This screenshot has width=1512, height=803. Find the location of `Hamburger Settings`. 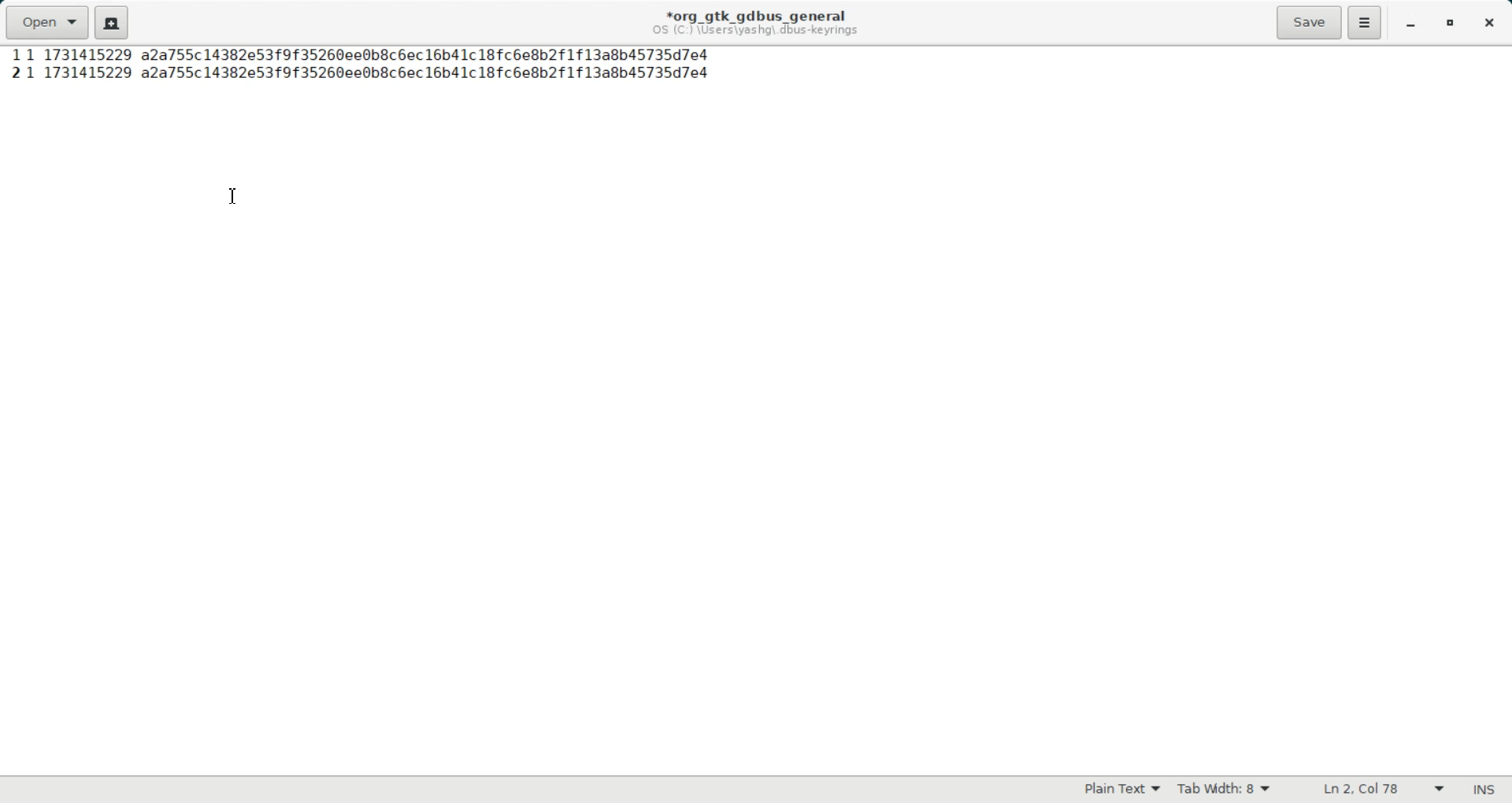

Hamburger Settings is located at coordinates (1365, 22).